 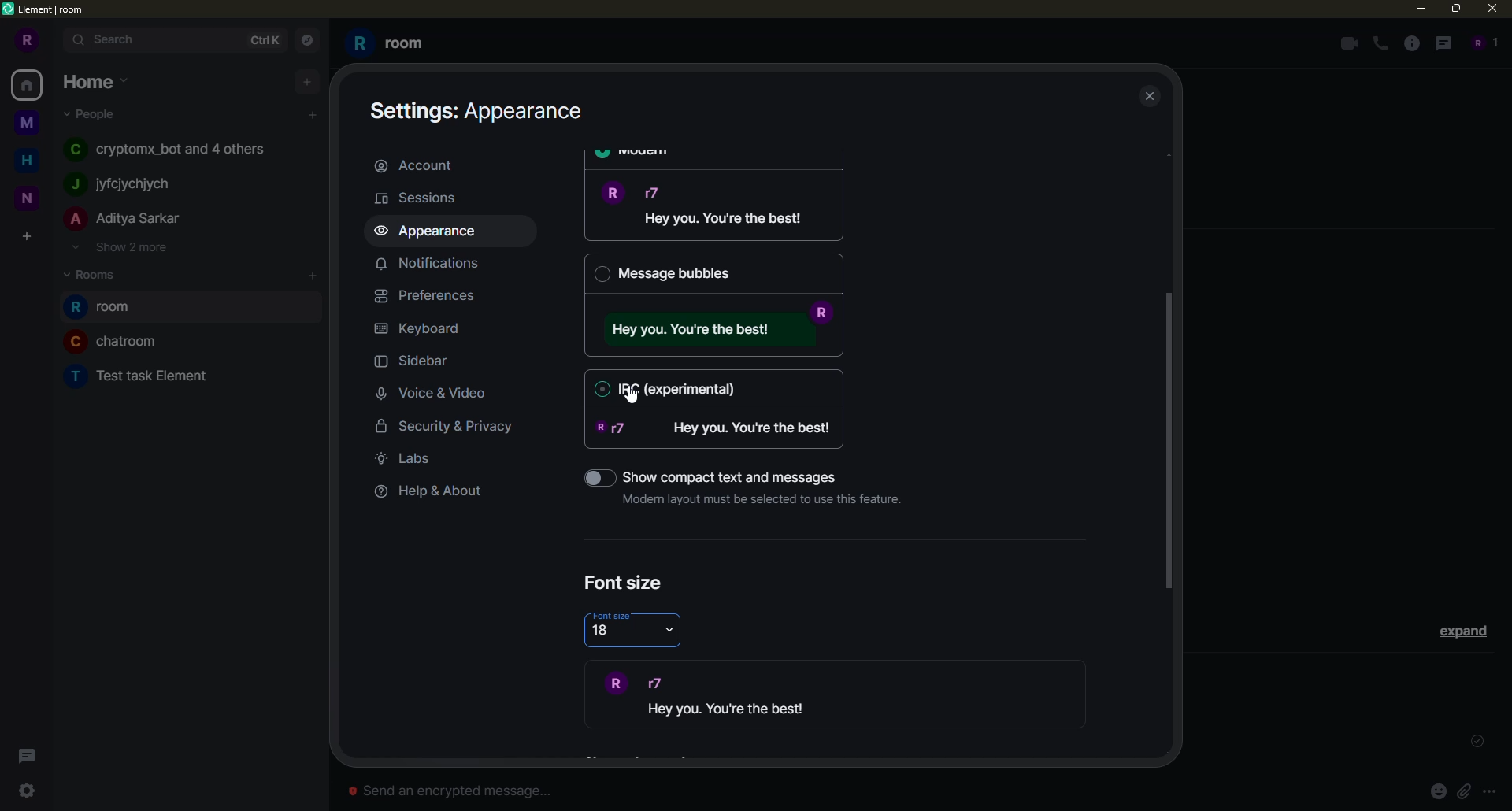 What do you see at coordinates (28, 124) in the screenshot?
I see `space` at bounding box center [28, 124].